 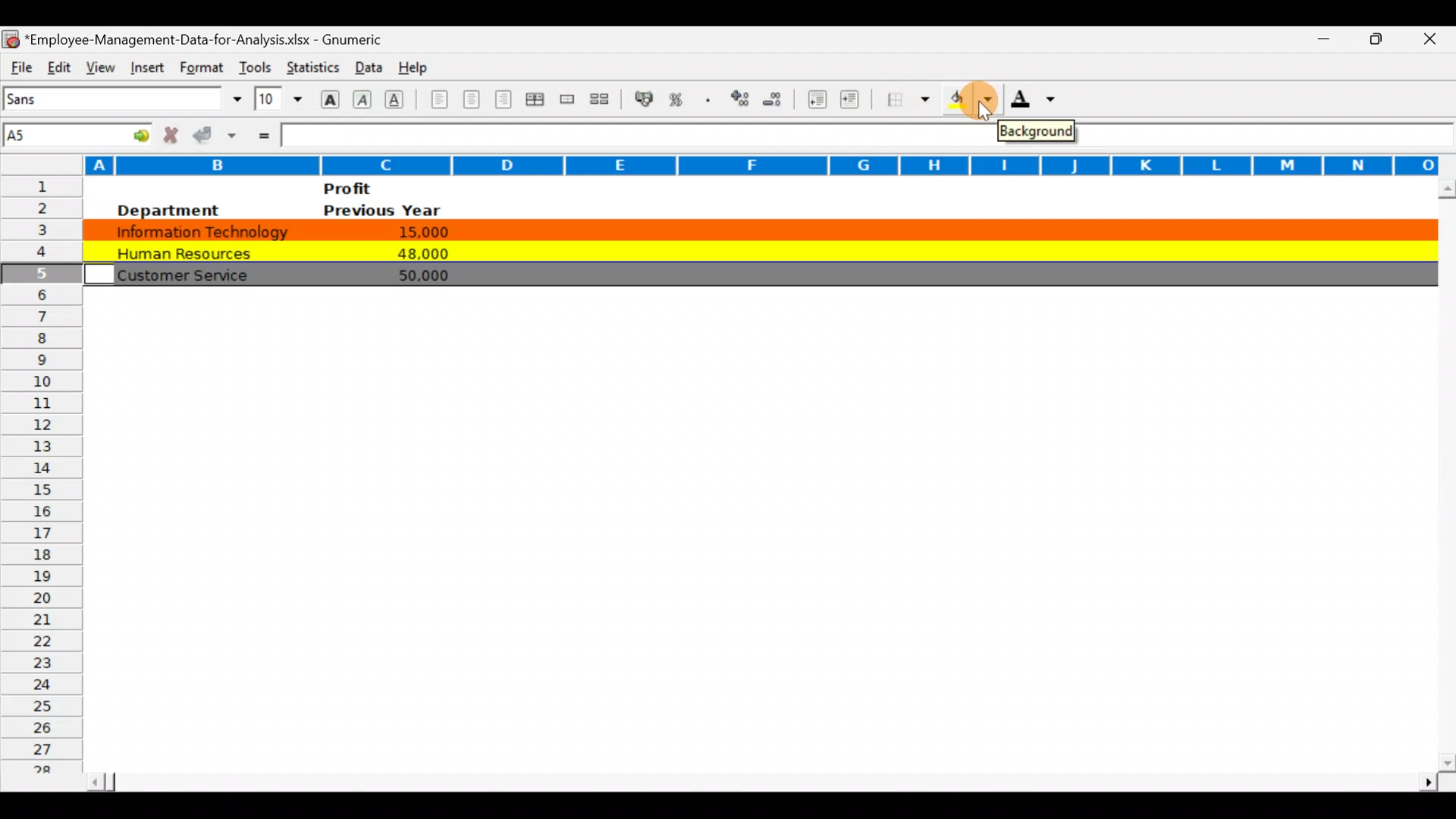 What do you see at coordinates (376, 188) in the screenshot?
I see `Profit` at bounding box center [376, 188].